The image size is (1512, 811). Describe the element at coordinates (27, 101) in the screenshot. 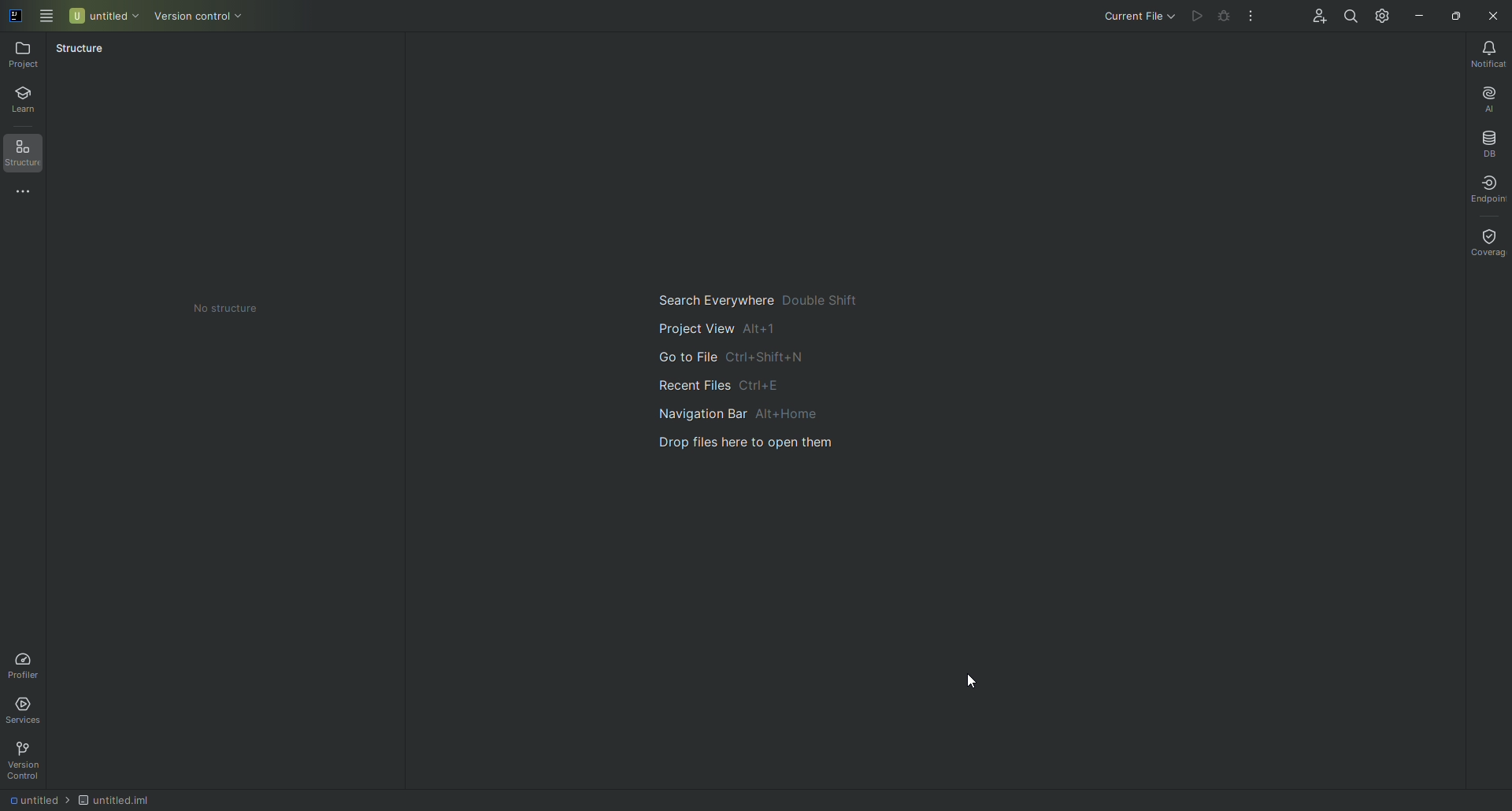

I see `Learn` at that location.